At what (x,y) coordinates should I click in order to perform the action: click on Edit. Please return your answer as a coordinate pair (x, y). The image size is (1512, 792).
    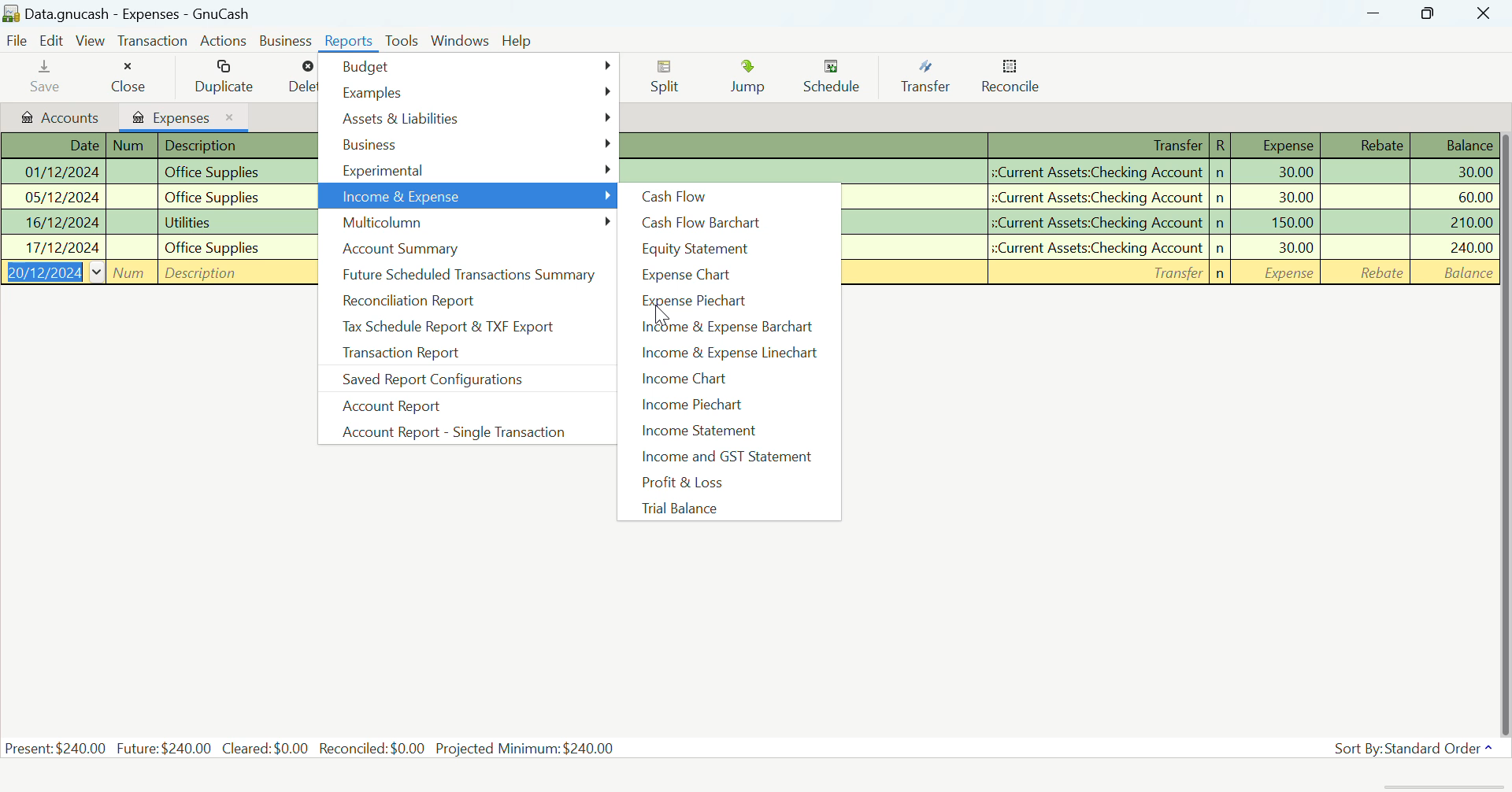
    Looking at the image, I should click on (53, 39).